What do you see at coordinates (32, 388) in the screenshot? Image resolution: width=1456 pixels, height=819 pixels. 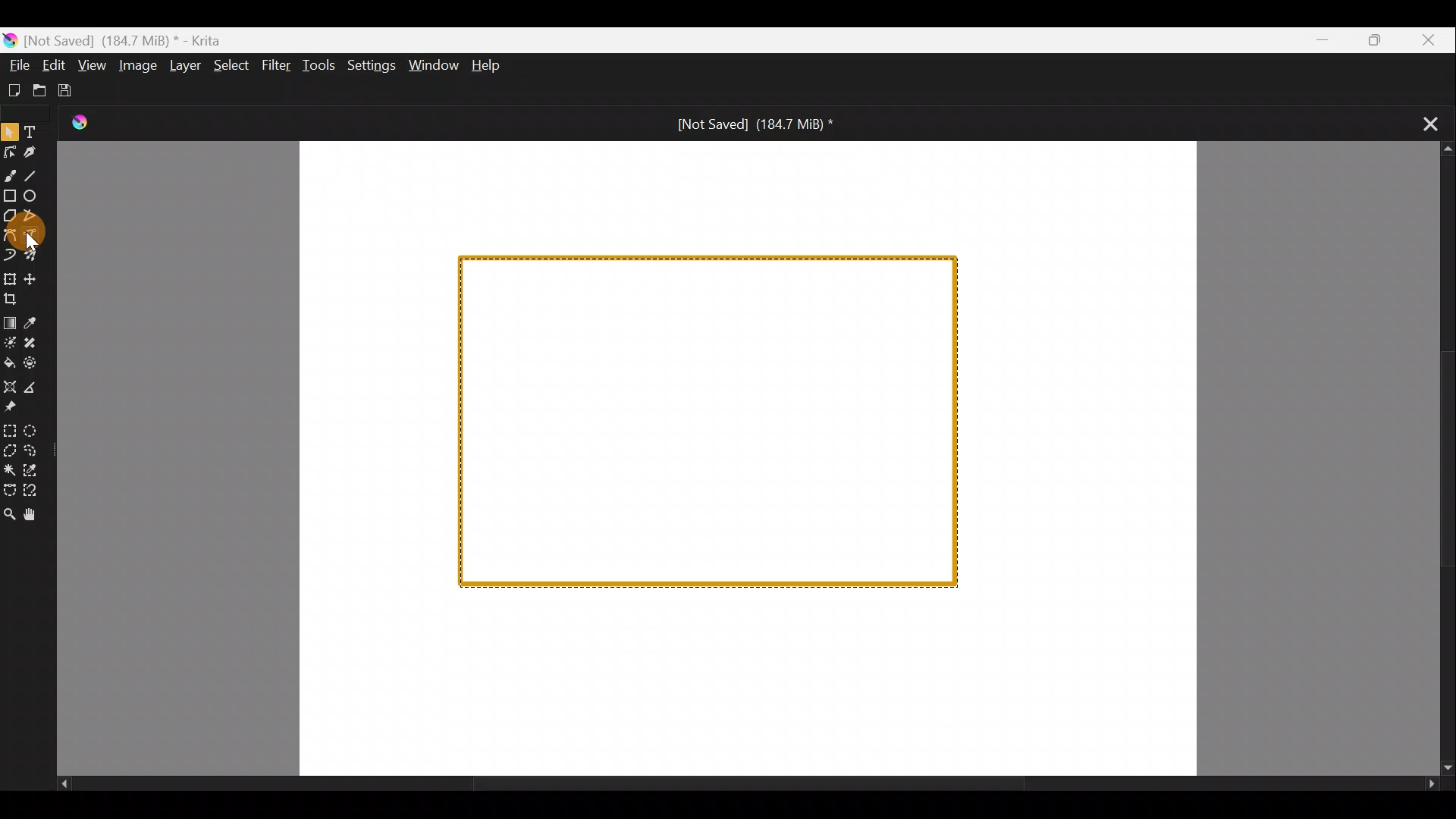 I see `Measure the distance between two points` at bounding box center [32, 388].